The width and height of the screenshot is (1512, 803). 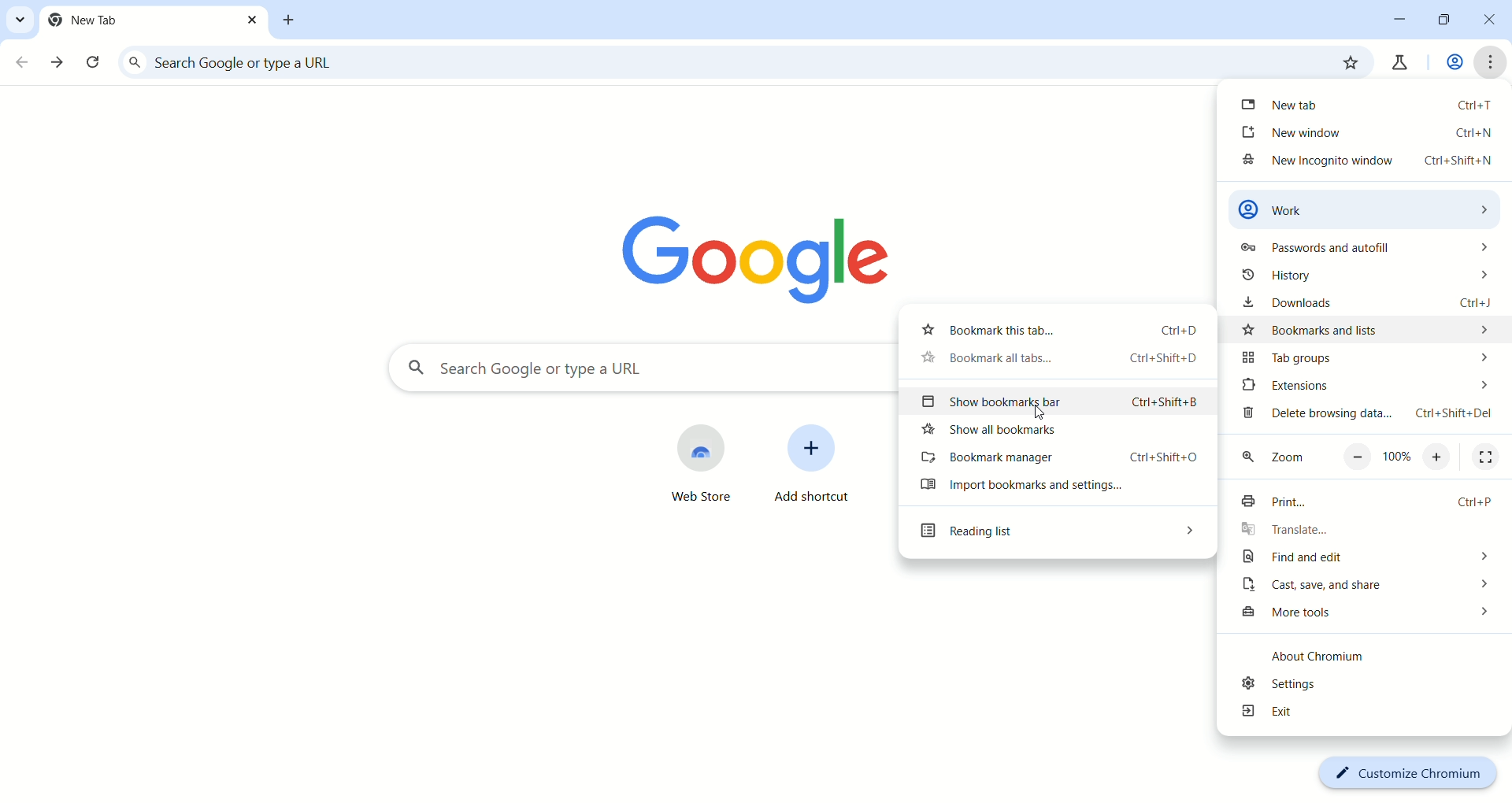 I want to click on show all bookmarks, so click(x=1061, y=434).